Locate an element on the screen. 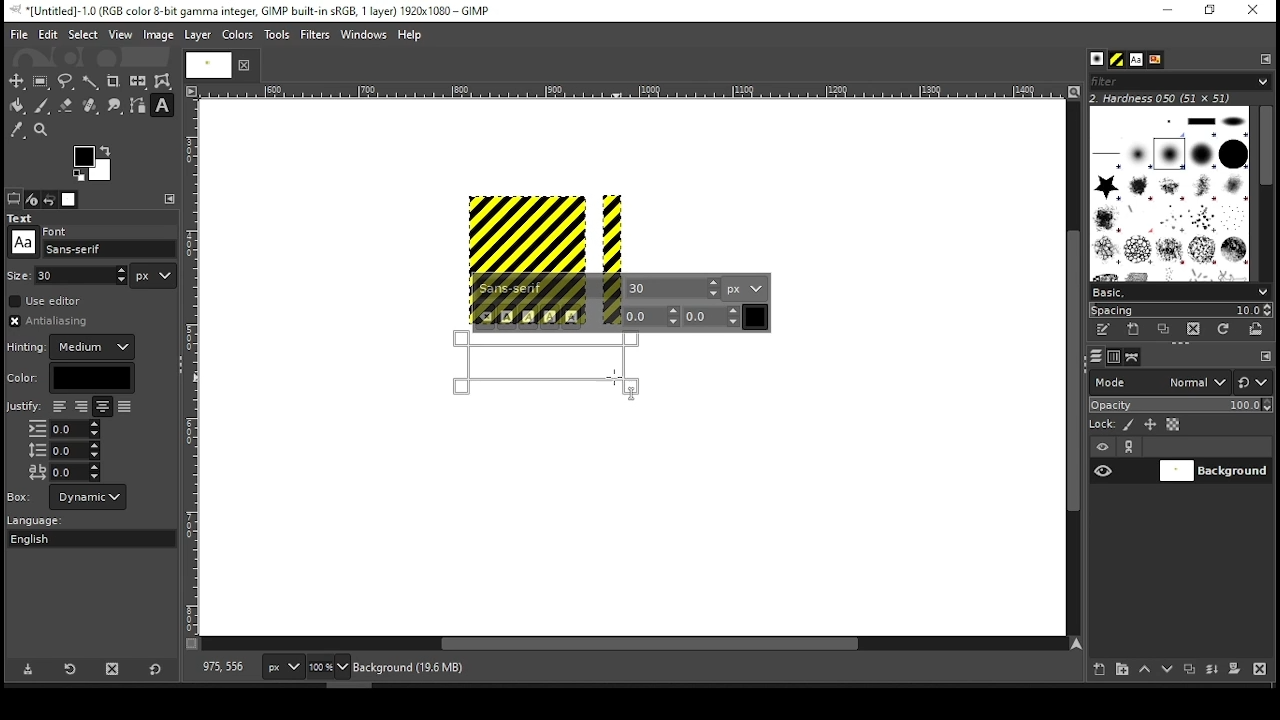 The height and width of the screenshot is (720, 1280). select brush preset is located at coordinates (1182, 291).